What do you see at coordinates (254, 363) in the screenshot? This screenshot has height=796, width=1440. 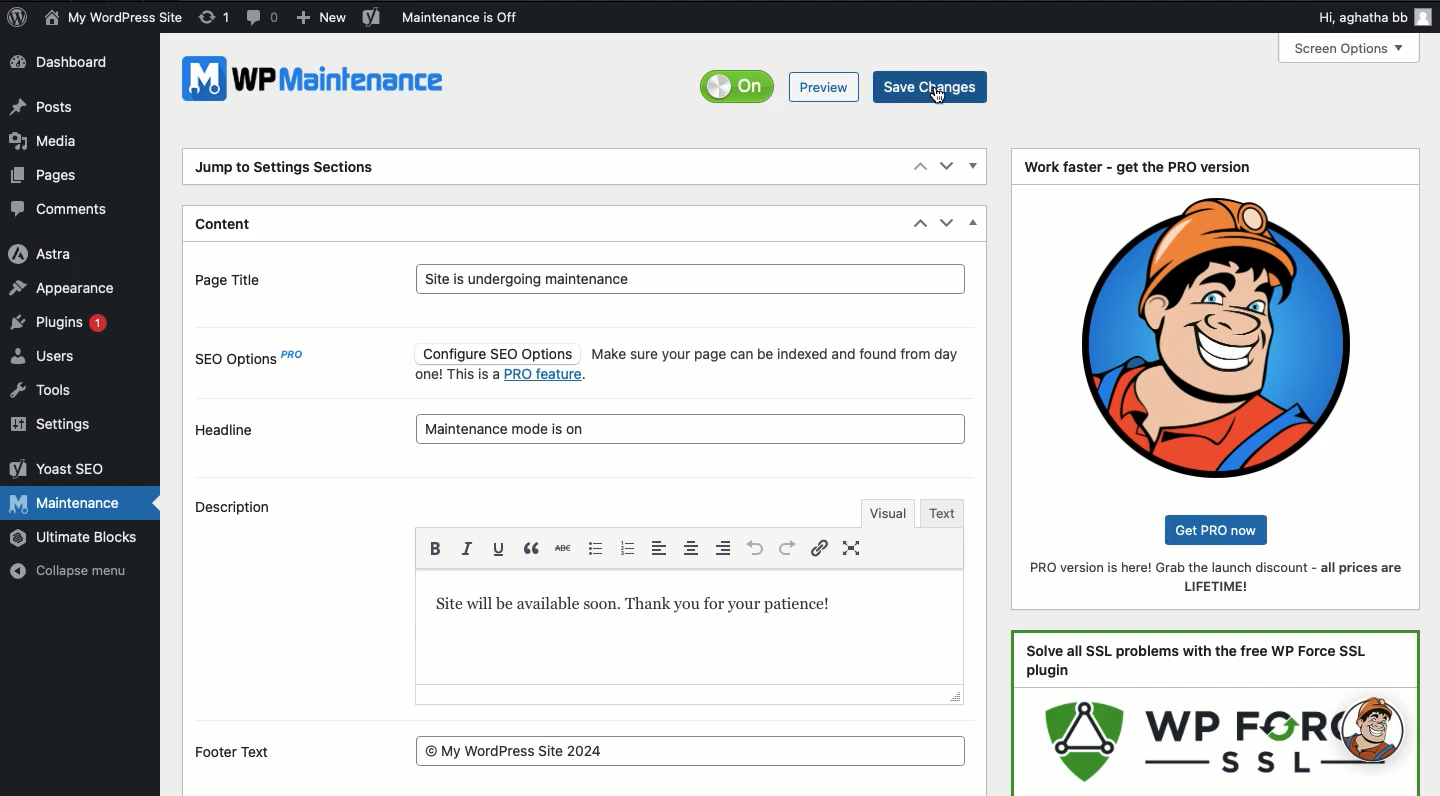 I see `SEO options` at bounding box center [254, 363].